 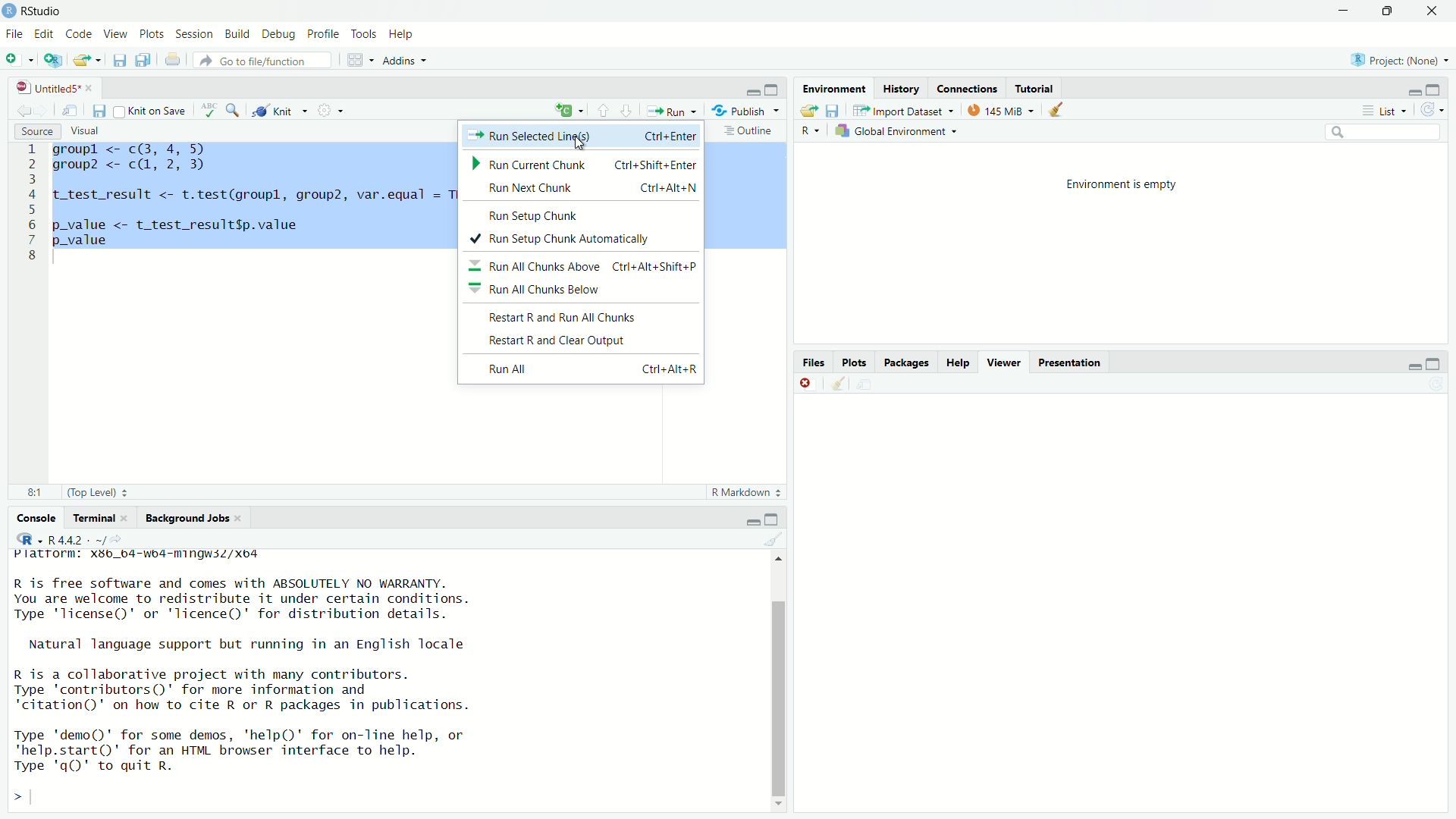 What do you see at coordinates (331, 109) in the screenshot?
I see `settings` at bounding box center [331, 109].